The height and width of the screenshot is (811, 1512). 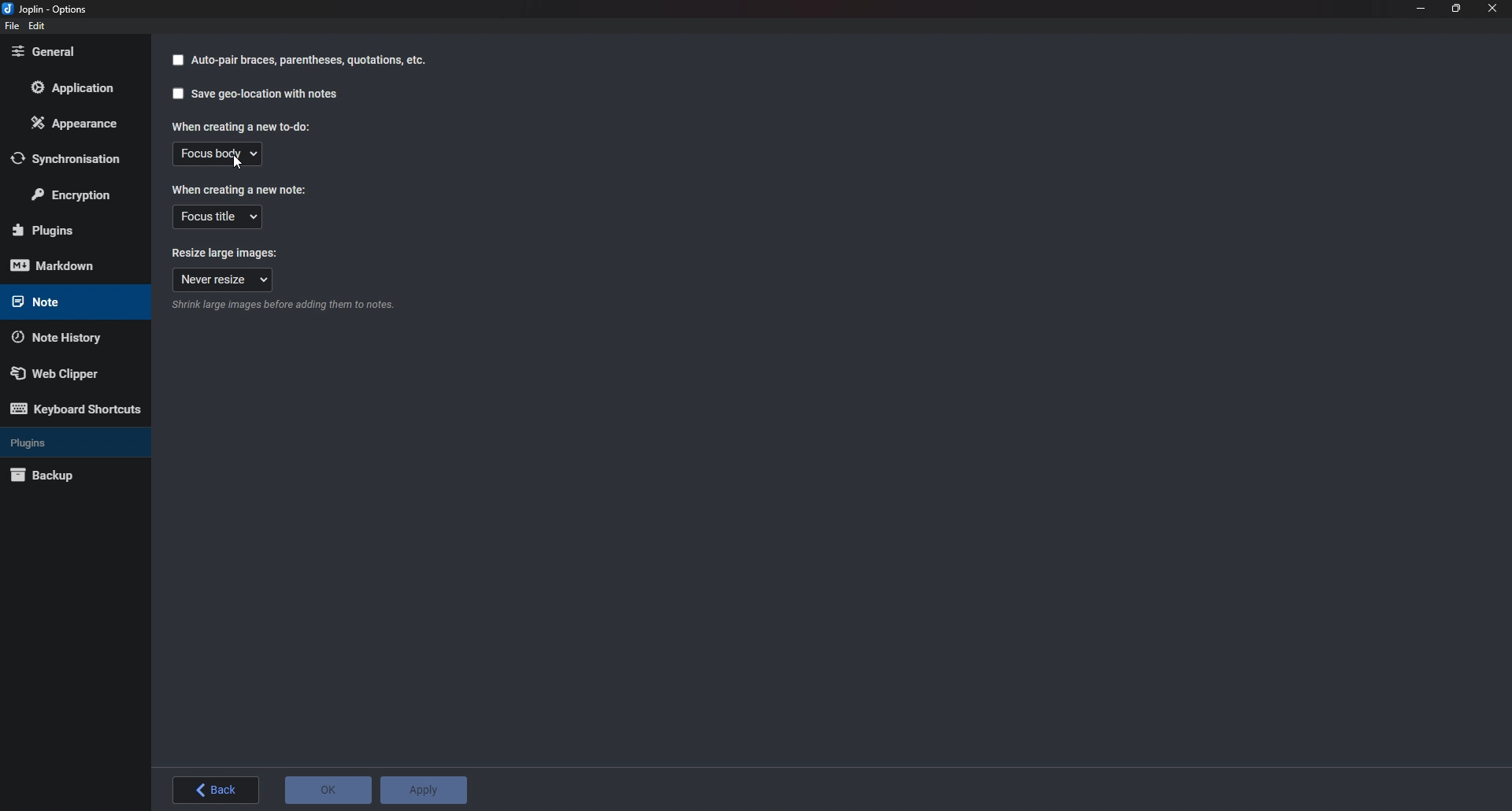 I want to click on note, so click(x=68, y=302).